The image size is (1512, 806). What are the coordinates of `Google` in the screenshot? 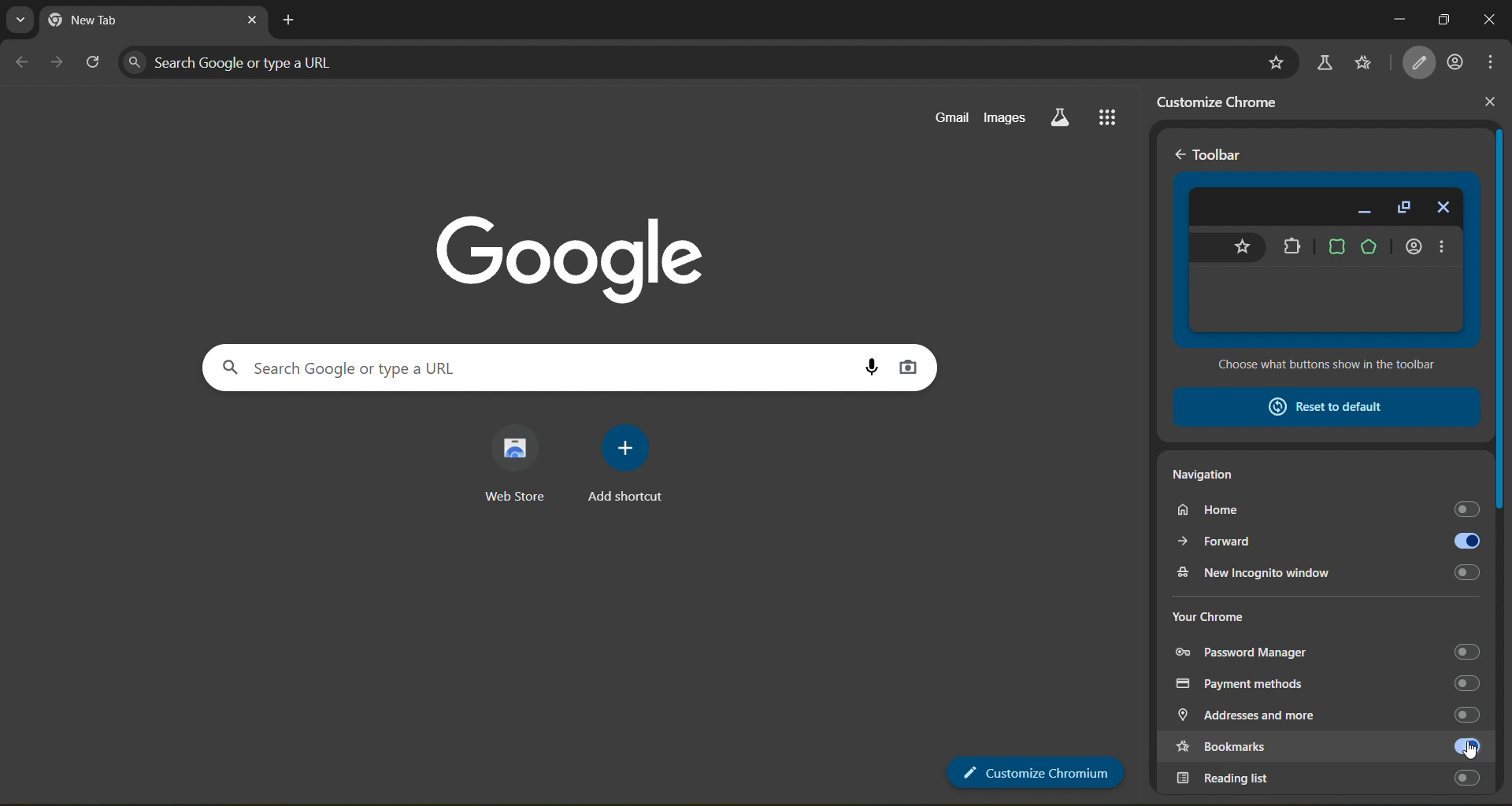 It's located at (563, 246).